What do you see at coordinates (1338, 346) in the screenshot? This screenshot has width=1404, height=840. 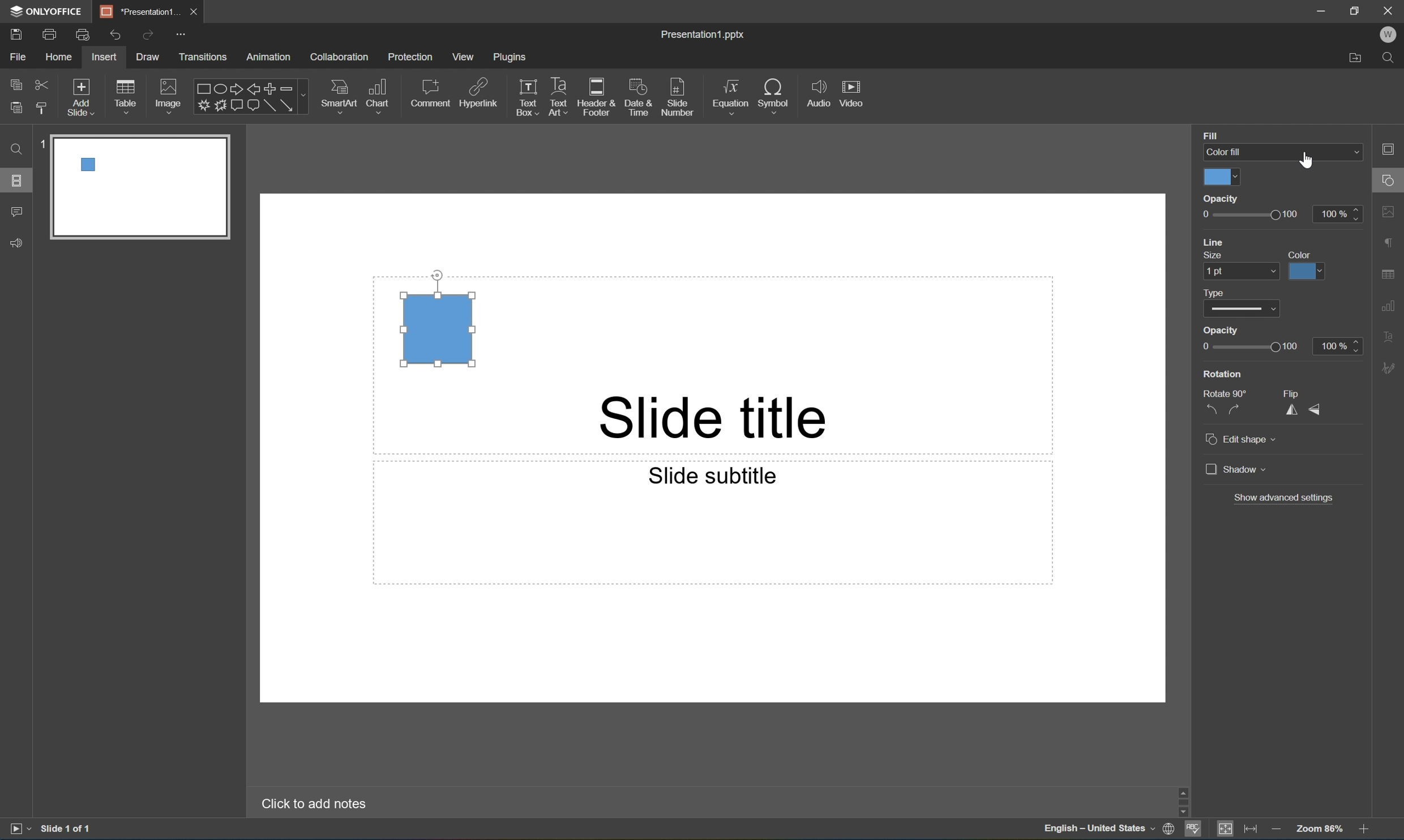 I see `100%` at bounding box center [1338, 346].